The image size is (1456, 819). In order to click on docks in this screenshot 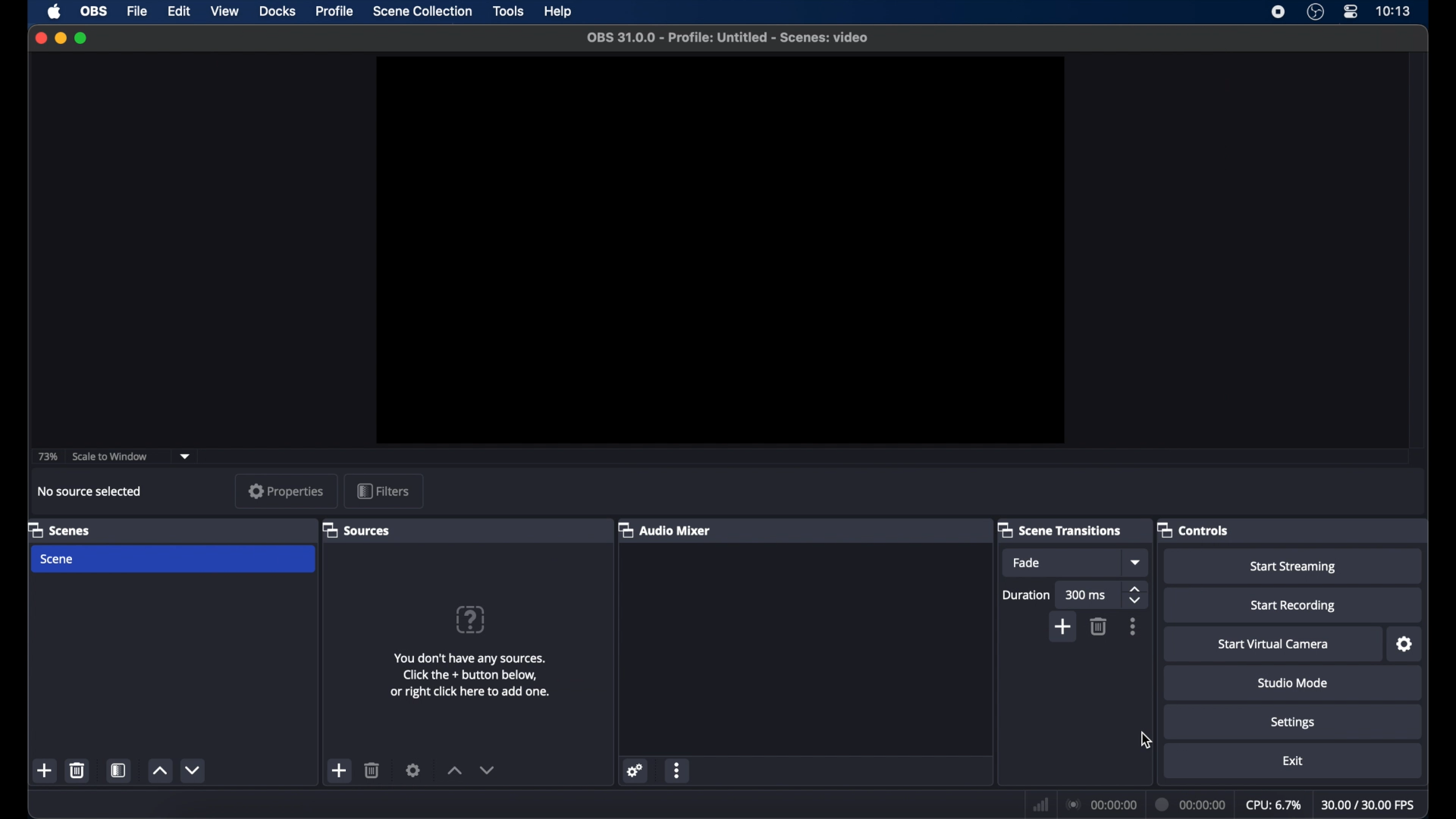, I will do `click(278, 11)`.